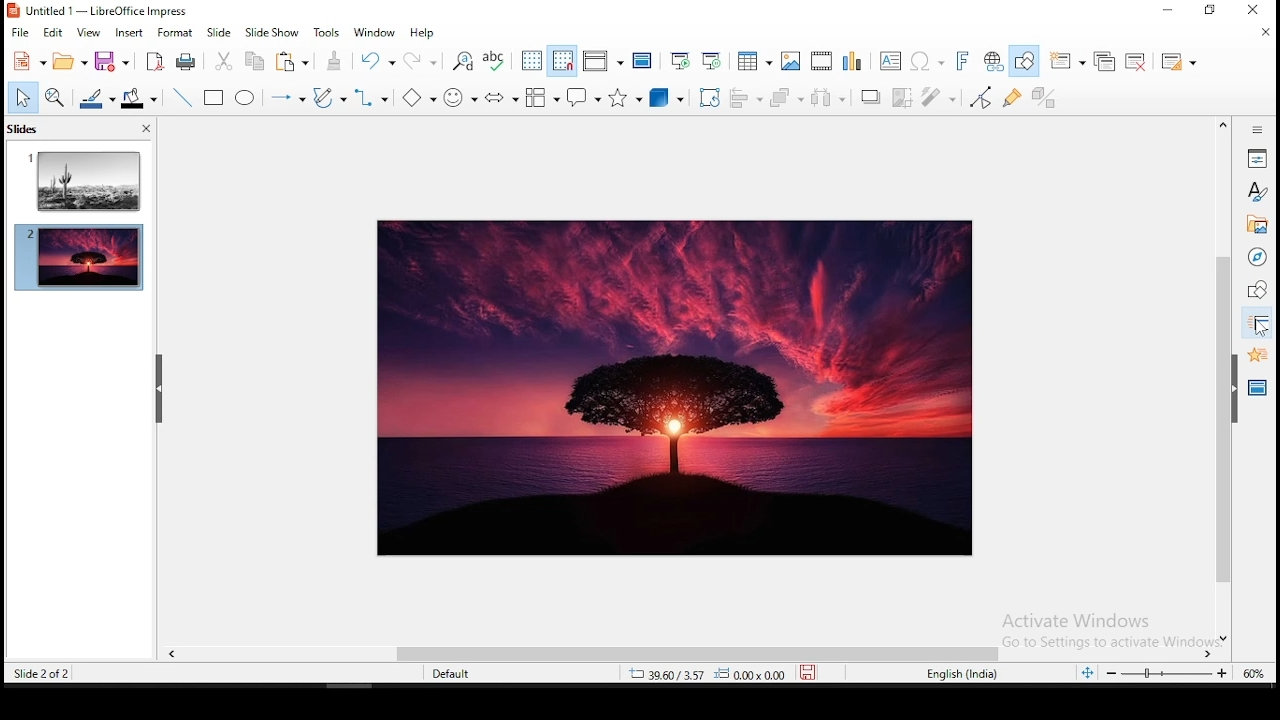 Image resolution: width=1280 pixels, height=720 pixels. What do you see at coordinates (1179, 60) in the screenshot?
I see `slide layout` at bounding box center [1179, 60].